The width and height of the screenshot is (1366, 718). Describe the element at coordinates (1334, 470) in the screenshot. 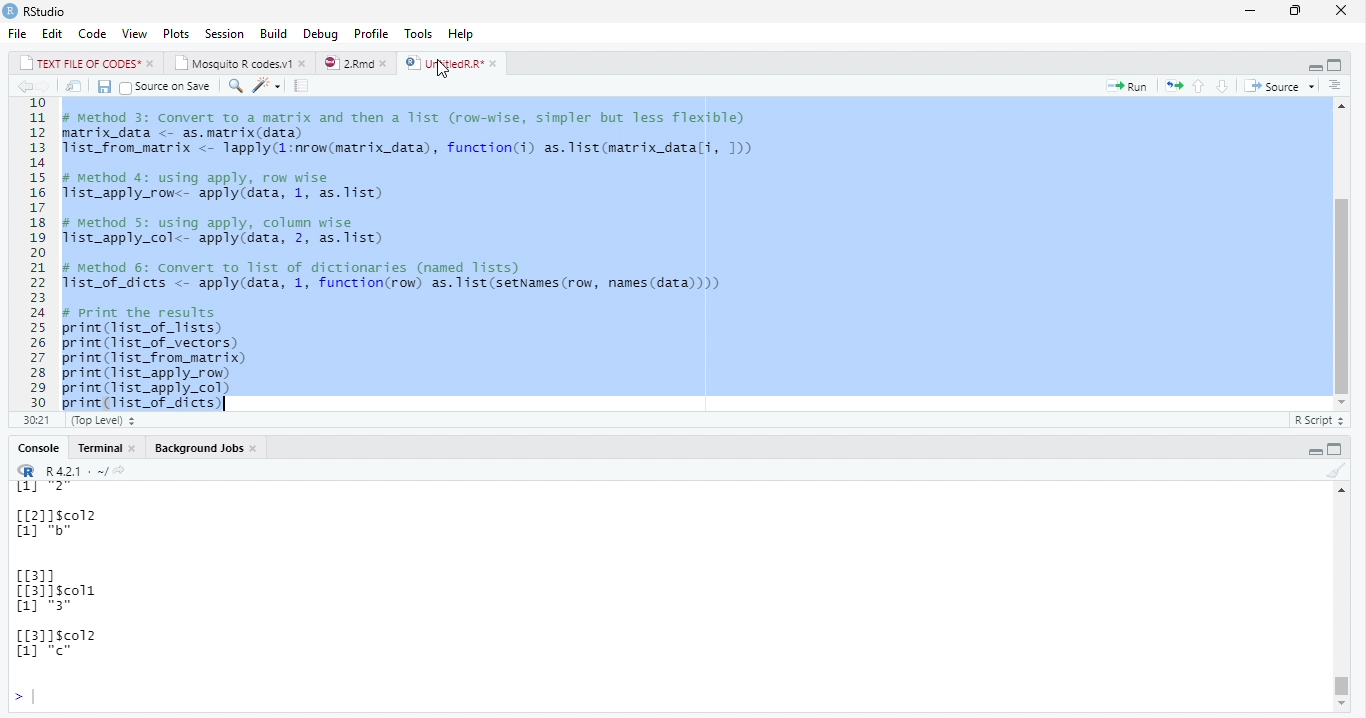

I see `Clear` at that location.